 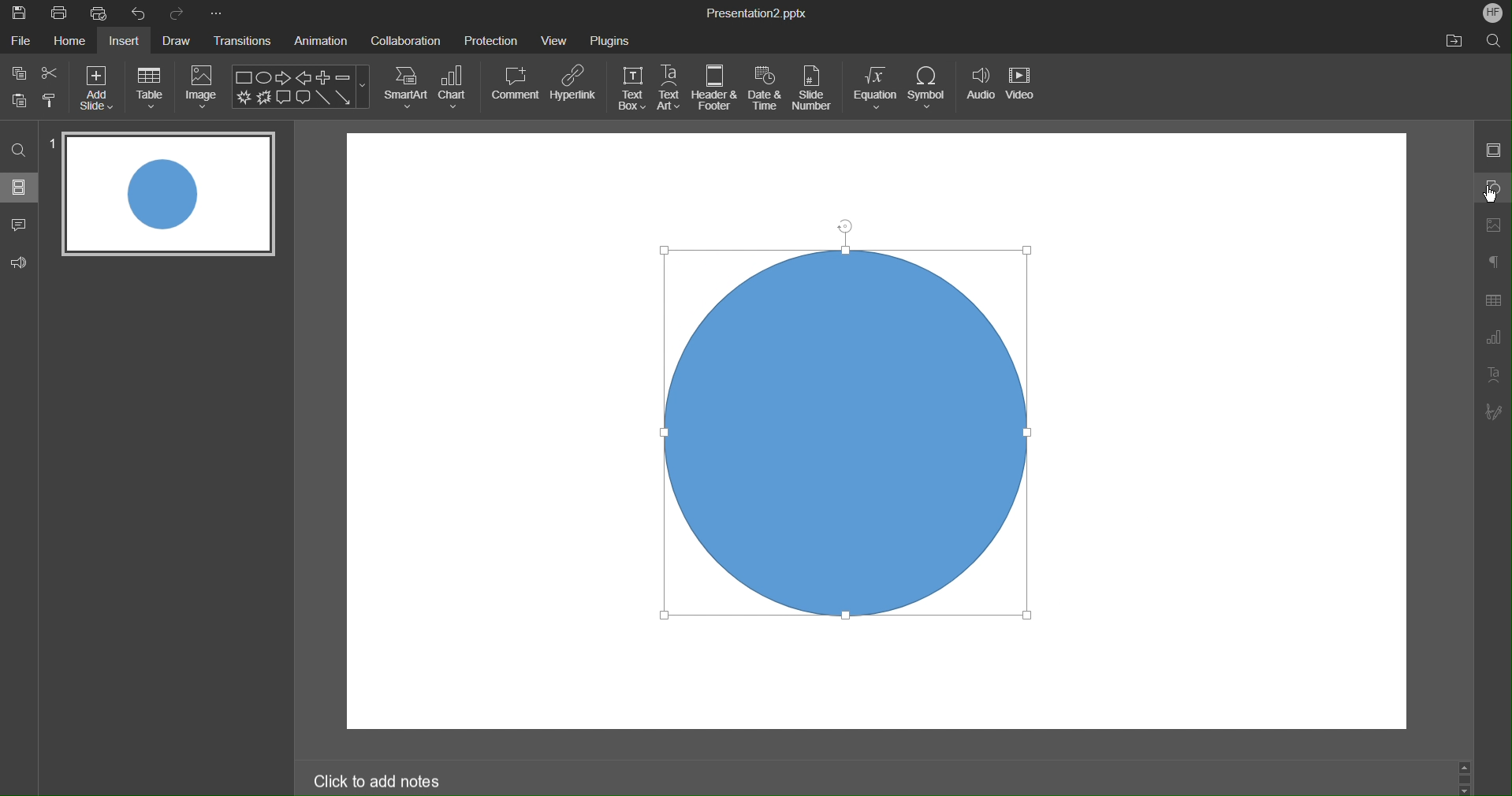 What do you see at coordinates (1495, 223) in the screenshot?
I see `Image Settings` at bounding box center [1495, 223].